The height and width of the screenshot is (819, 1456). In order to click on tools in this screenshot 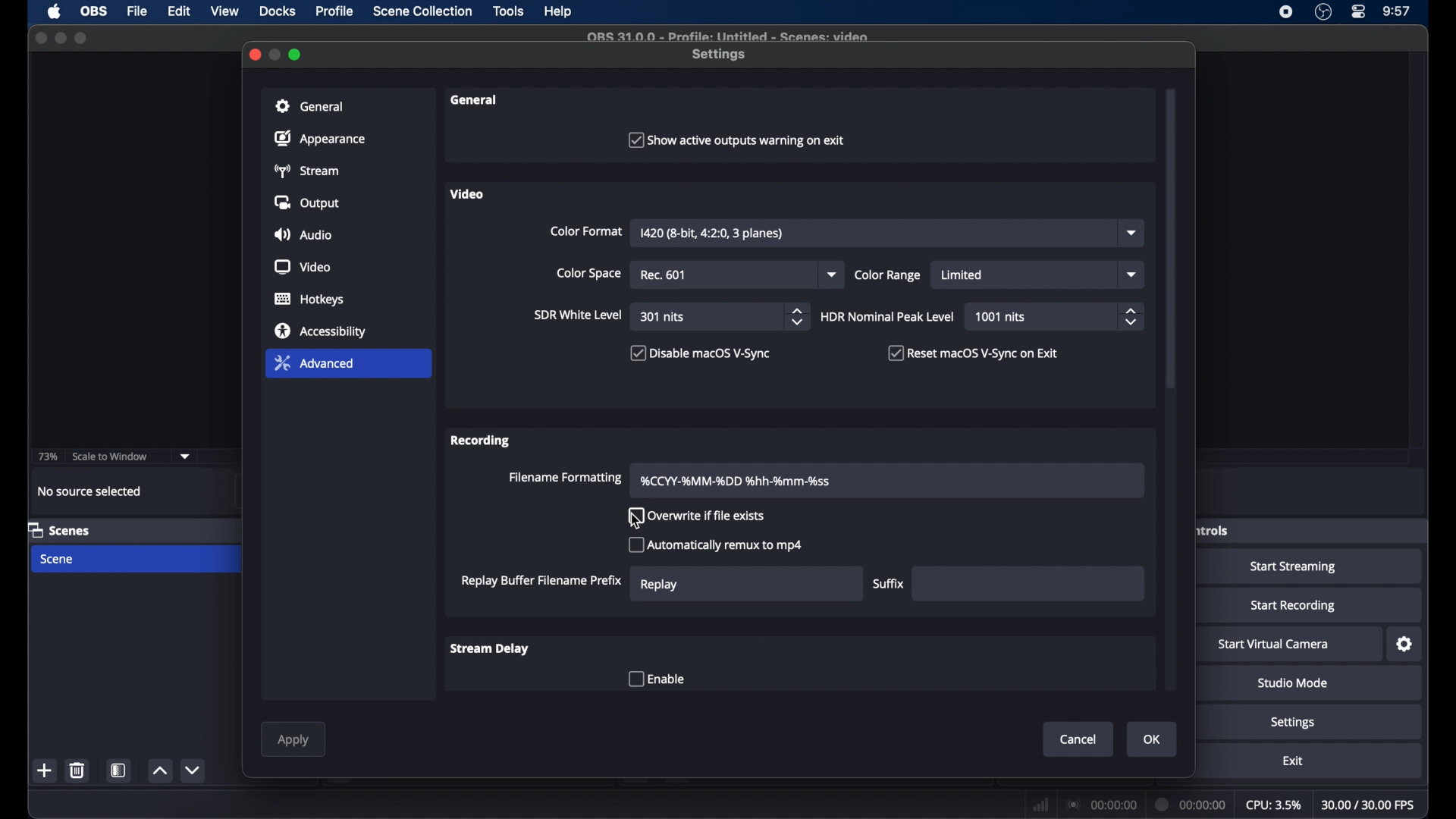, I will do `click(509, 11)`.